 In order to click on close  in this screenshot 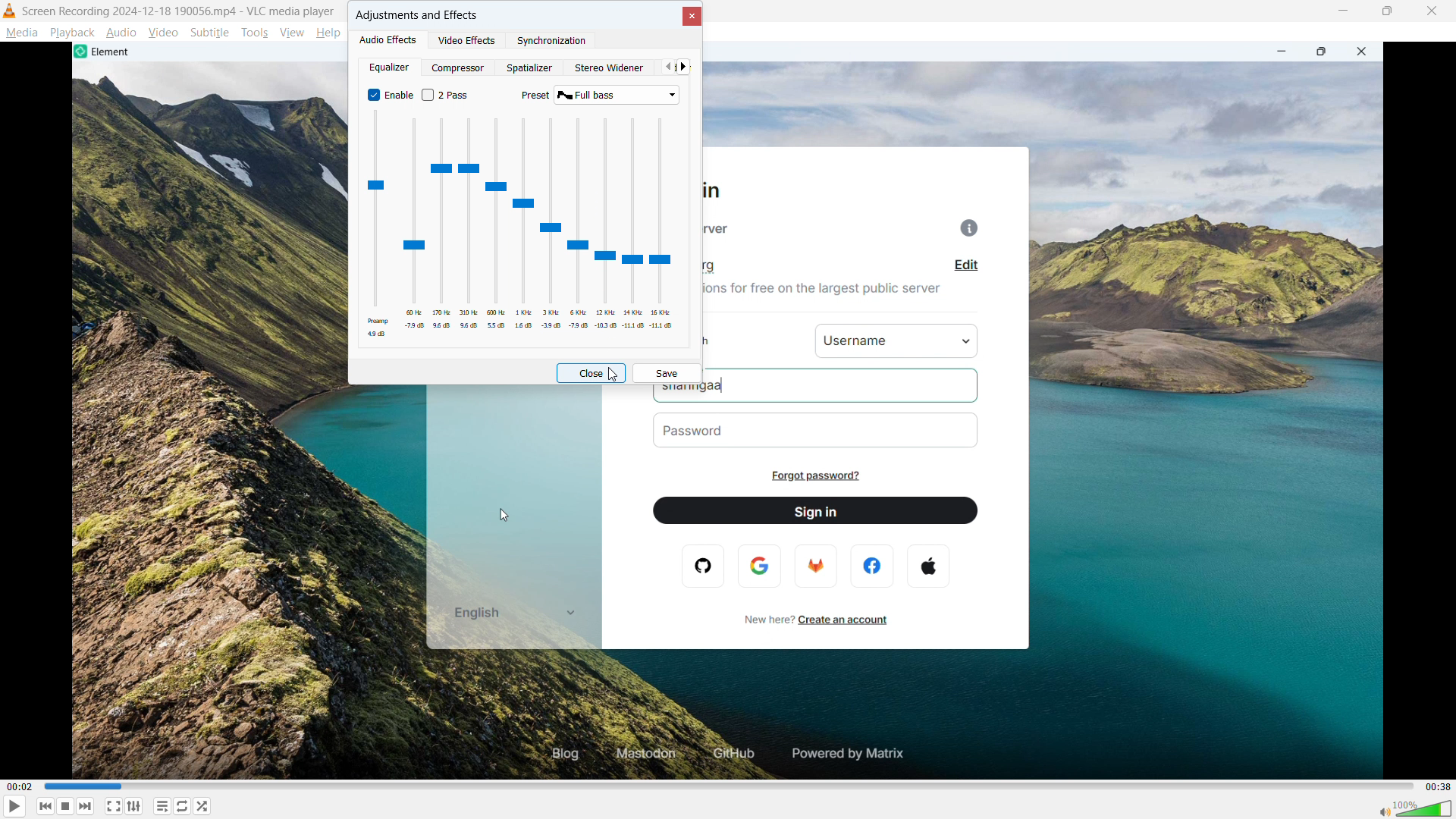, I will do `click(1432, 11)`.